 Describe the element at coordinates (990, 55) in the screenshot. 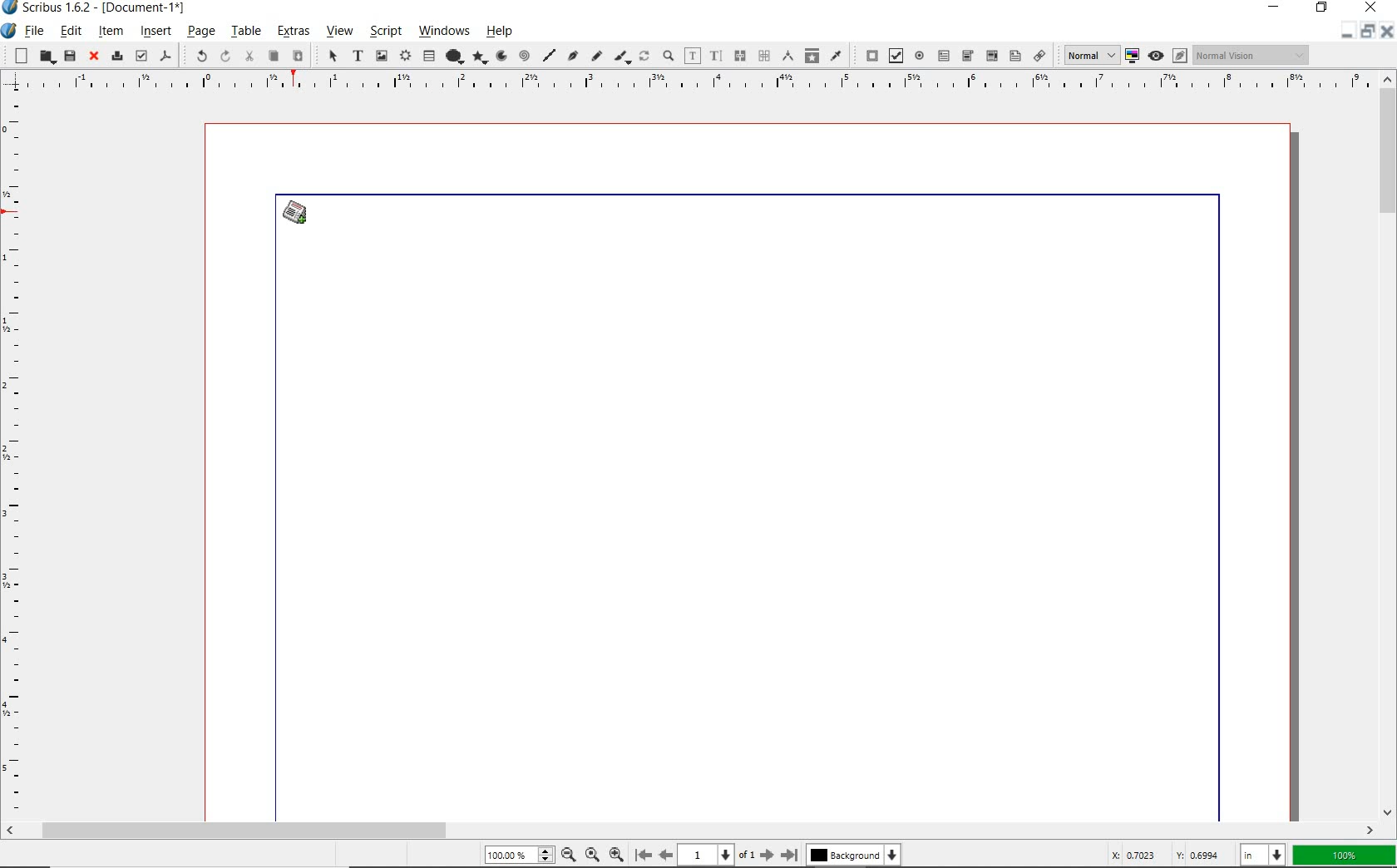

I see `pdf combo box` at that location.